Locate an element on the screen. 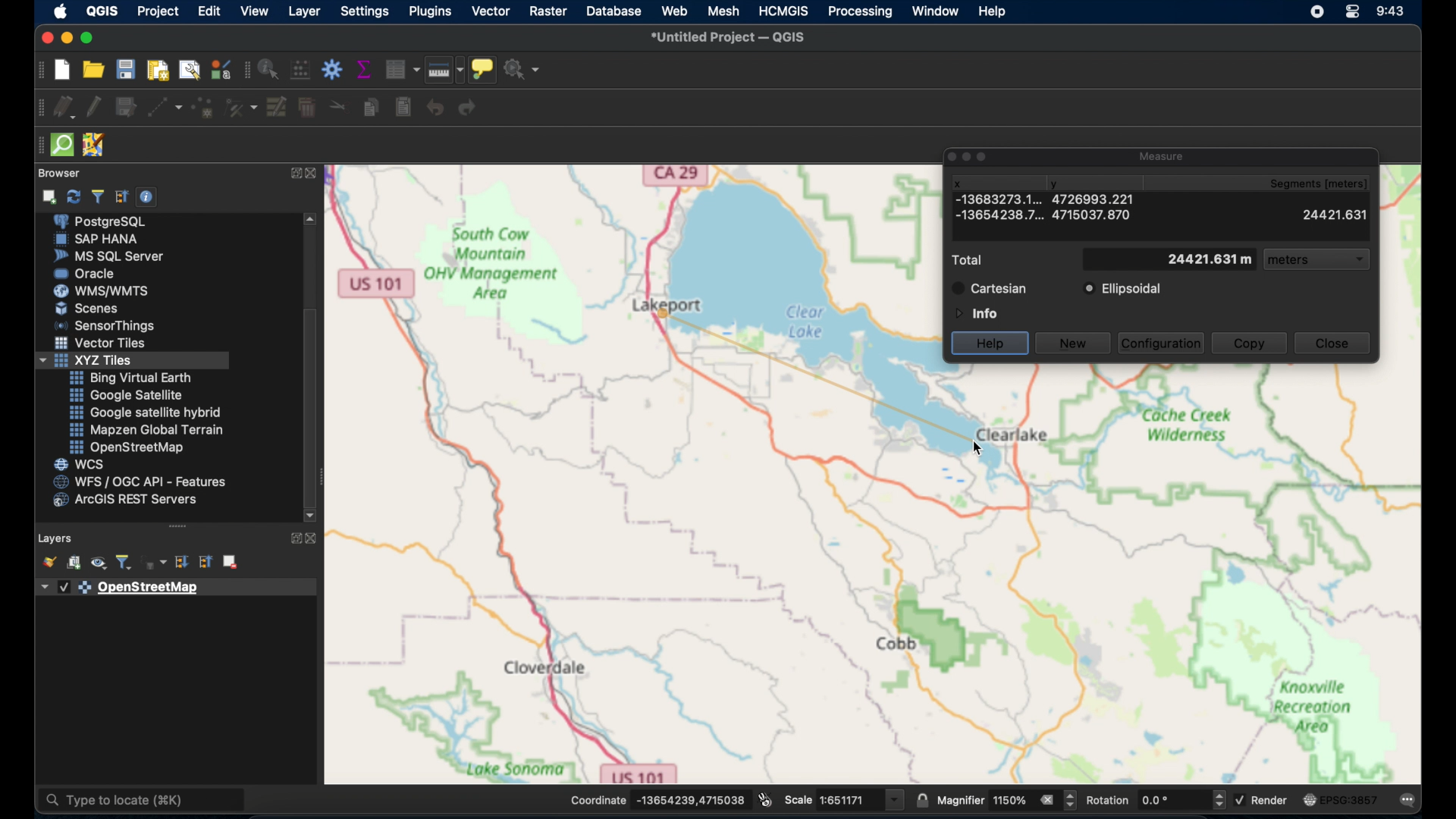 The width and height of the screenshot is (1456, 819). manage map. themes is located at coordinates (97, 564).